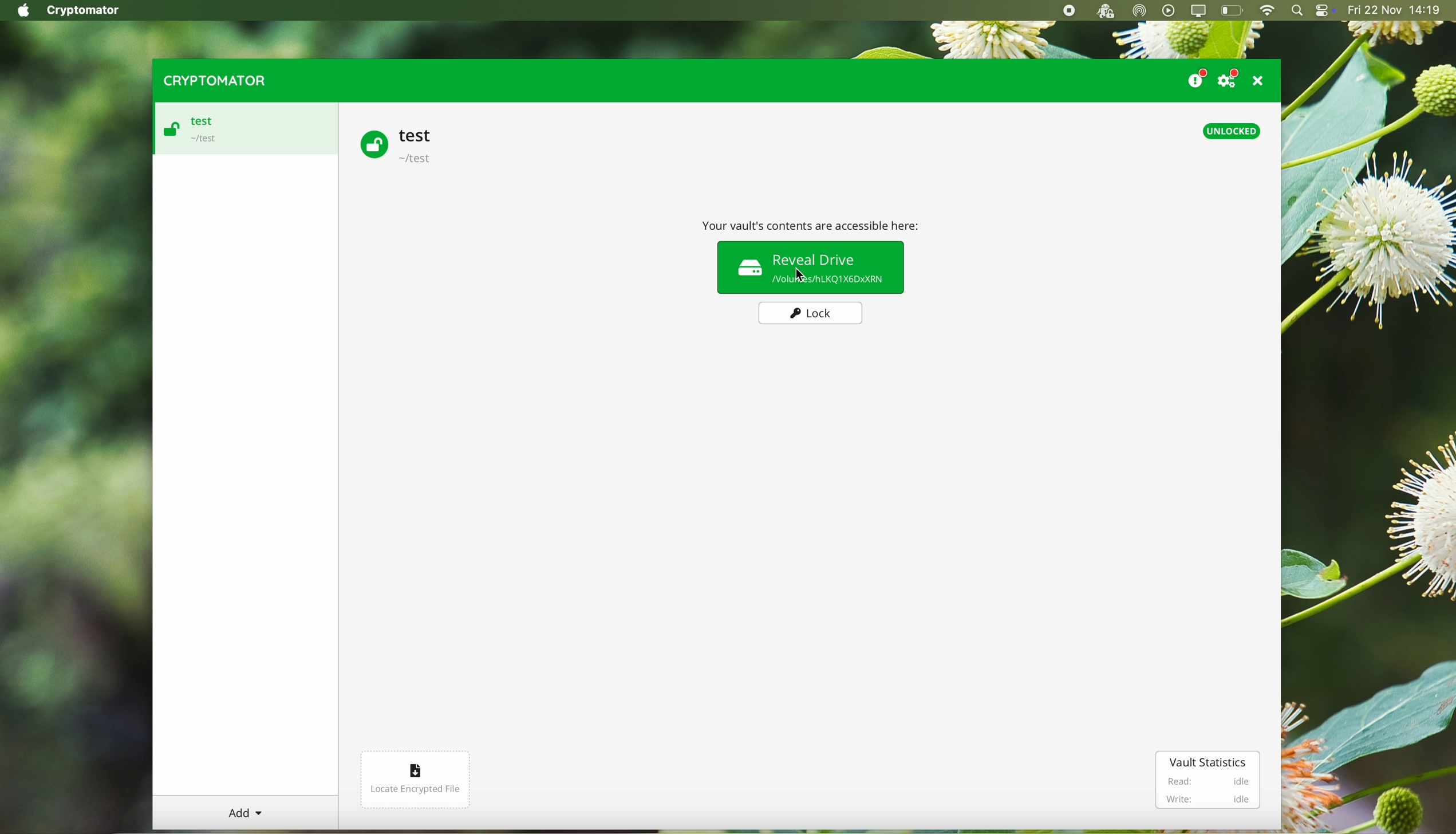  What do you see at coordinates (1261, 80) in the screenshot?
I see `close program` at bounding box center [1261, 80].